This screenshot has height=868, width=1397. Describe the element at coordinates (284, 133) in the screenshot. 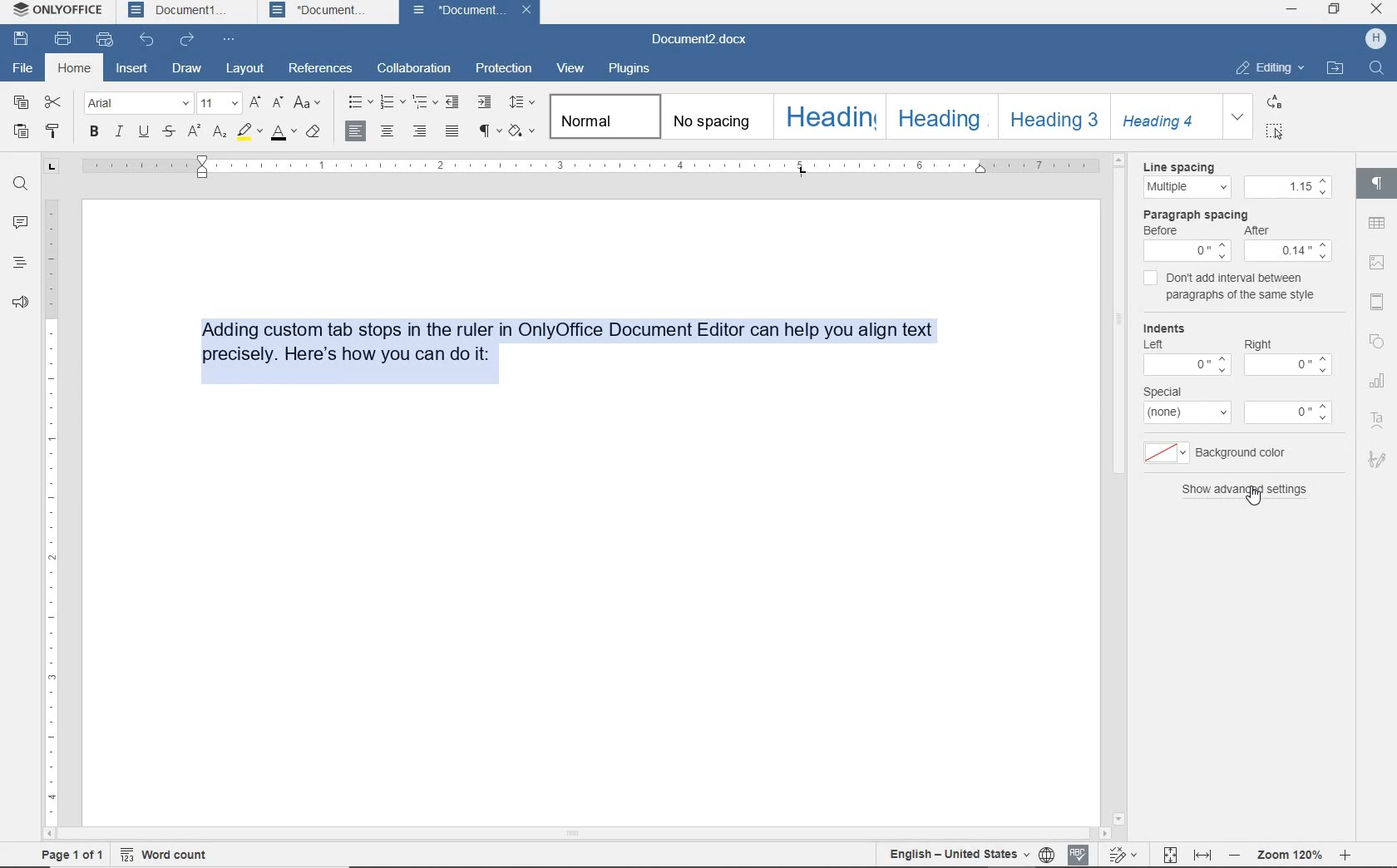

I see `font color` at that location.